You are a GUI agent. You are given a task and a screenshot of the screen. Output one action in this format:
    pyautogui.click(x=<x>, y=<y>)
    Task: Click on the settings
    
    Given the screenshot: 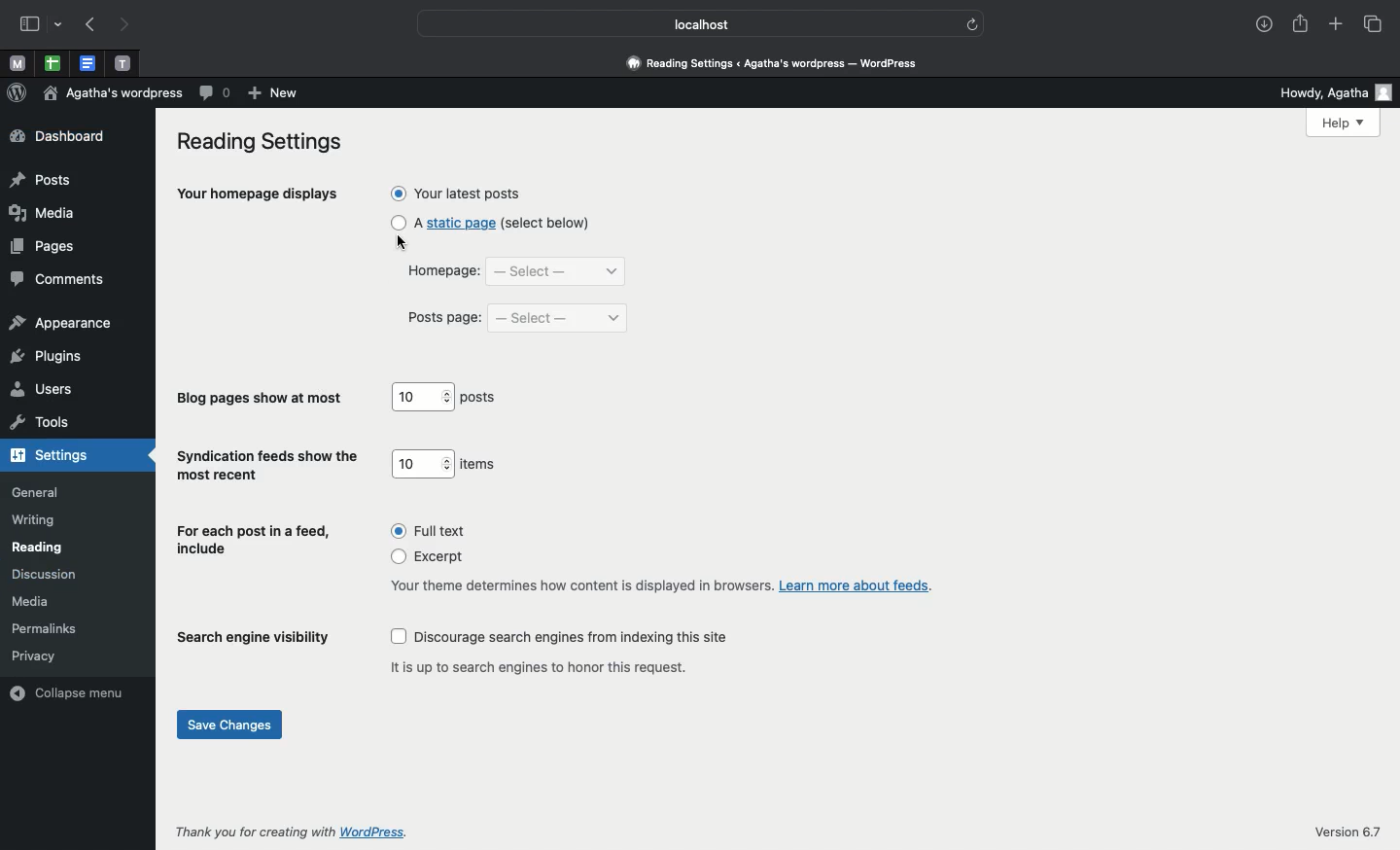 What is the action you would take?
    pyautogui.click(x=55, y=456)
    